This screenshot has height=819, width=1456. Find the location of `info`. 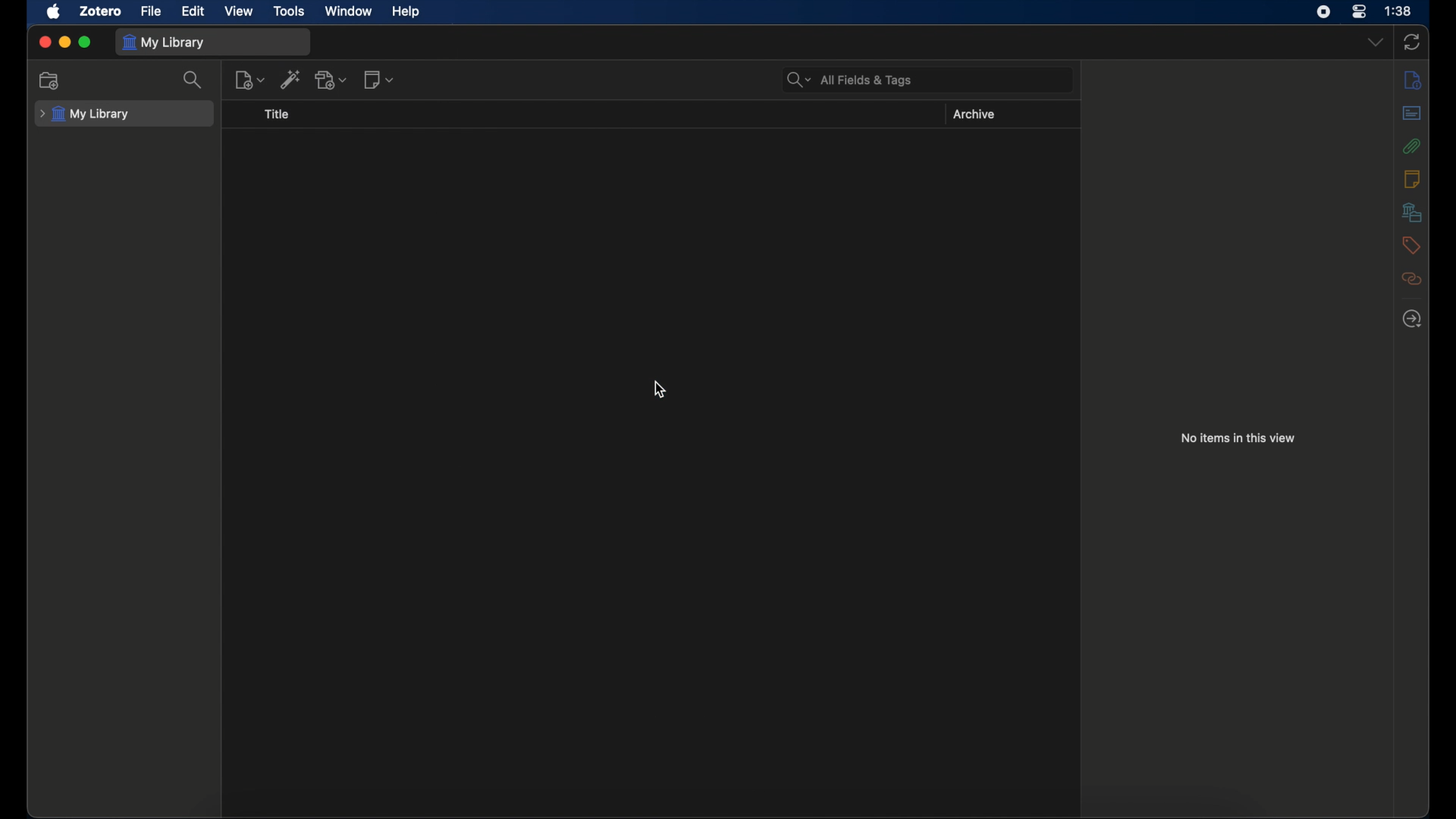

info is located at coordinates (1414, 80).